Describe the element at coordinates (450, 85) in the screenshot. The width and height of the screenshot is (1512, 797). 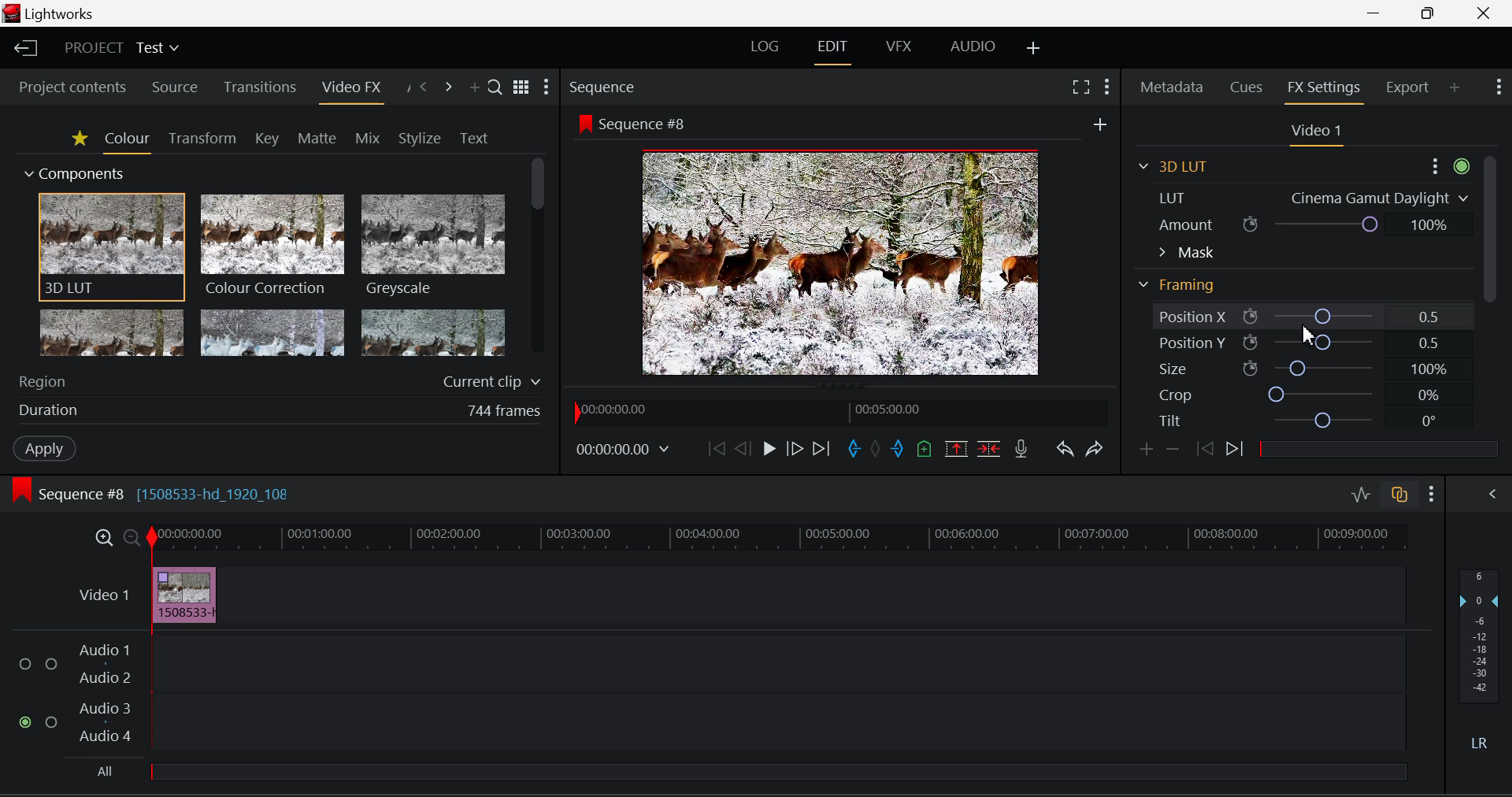
I see `Next Panel` at that location.